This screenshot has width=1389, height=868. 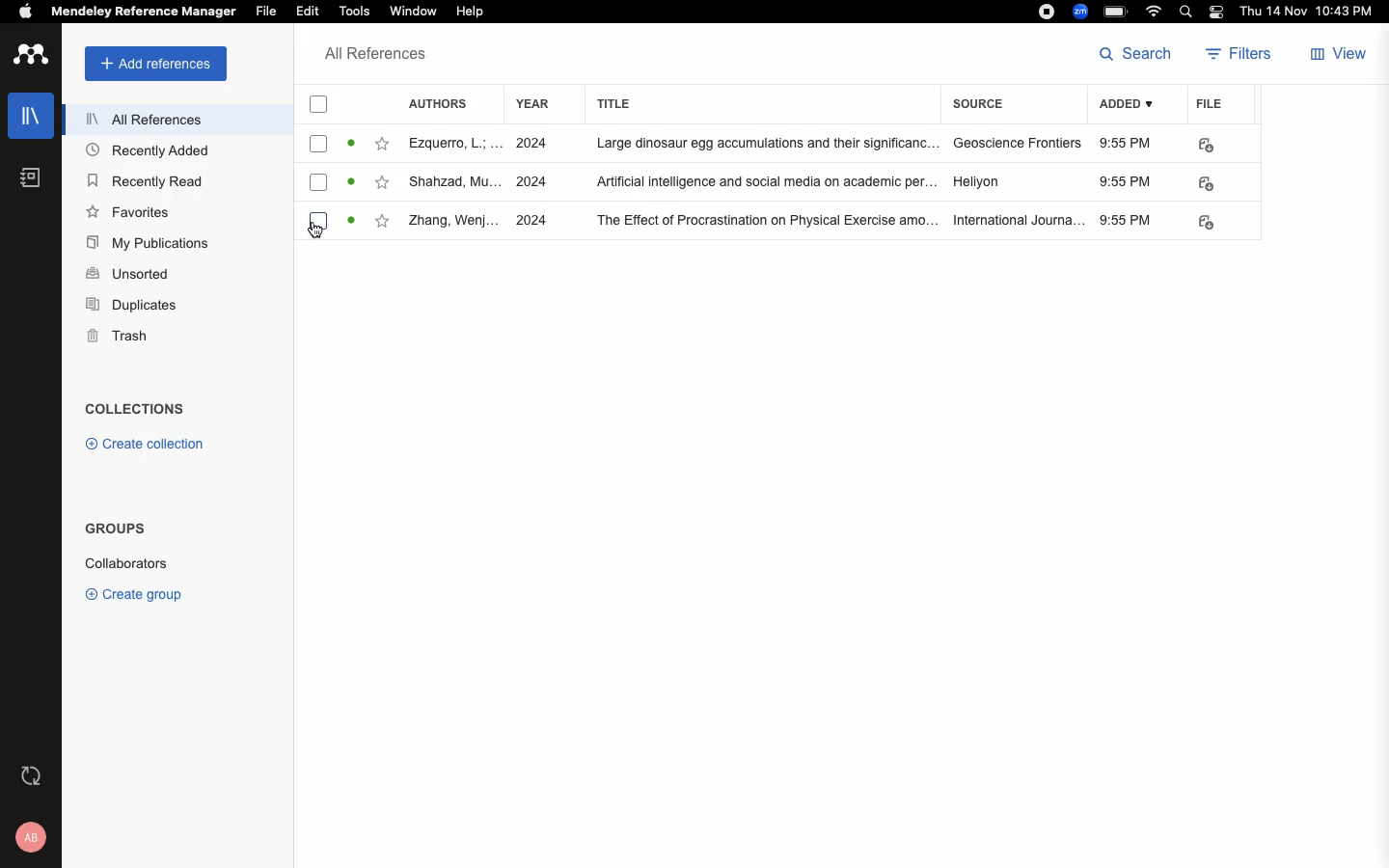 I want to click on Ezquerro, so click(x=453, y=143).